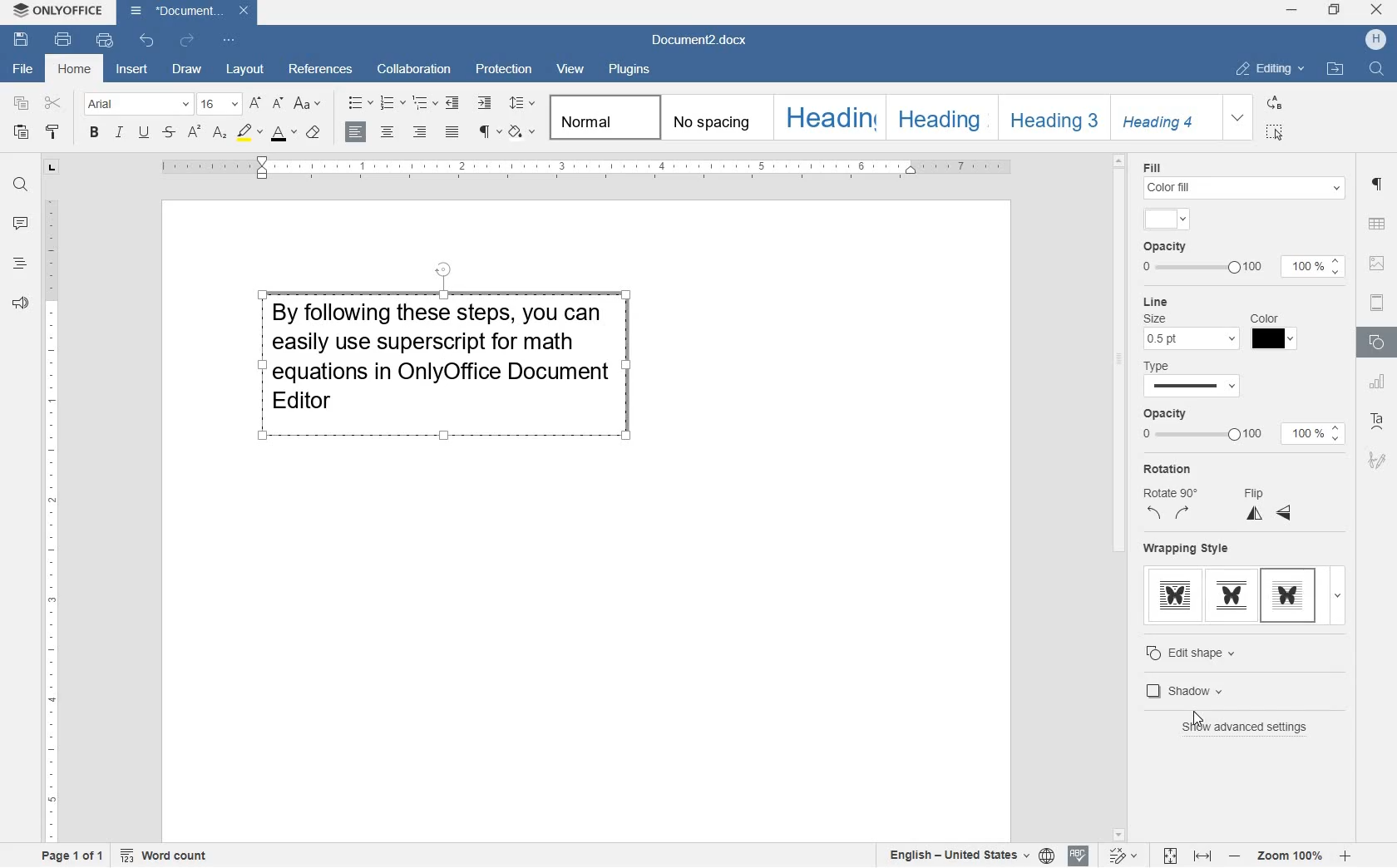 The height and width of the screenshot is (868, 1397). Describe the element at coordinates (394, 102) in the screenshot. I see `numbering` at that location.